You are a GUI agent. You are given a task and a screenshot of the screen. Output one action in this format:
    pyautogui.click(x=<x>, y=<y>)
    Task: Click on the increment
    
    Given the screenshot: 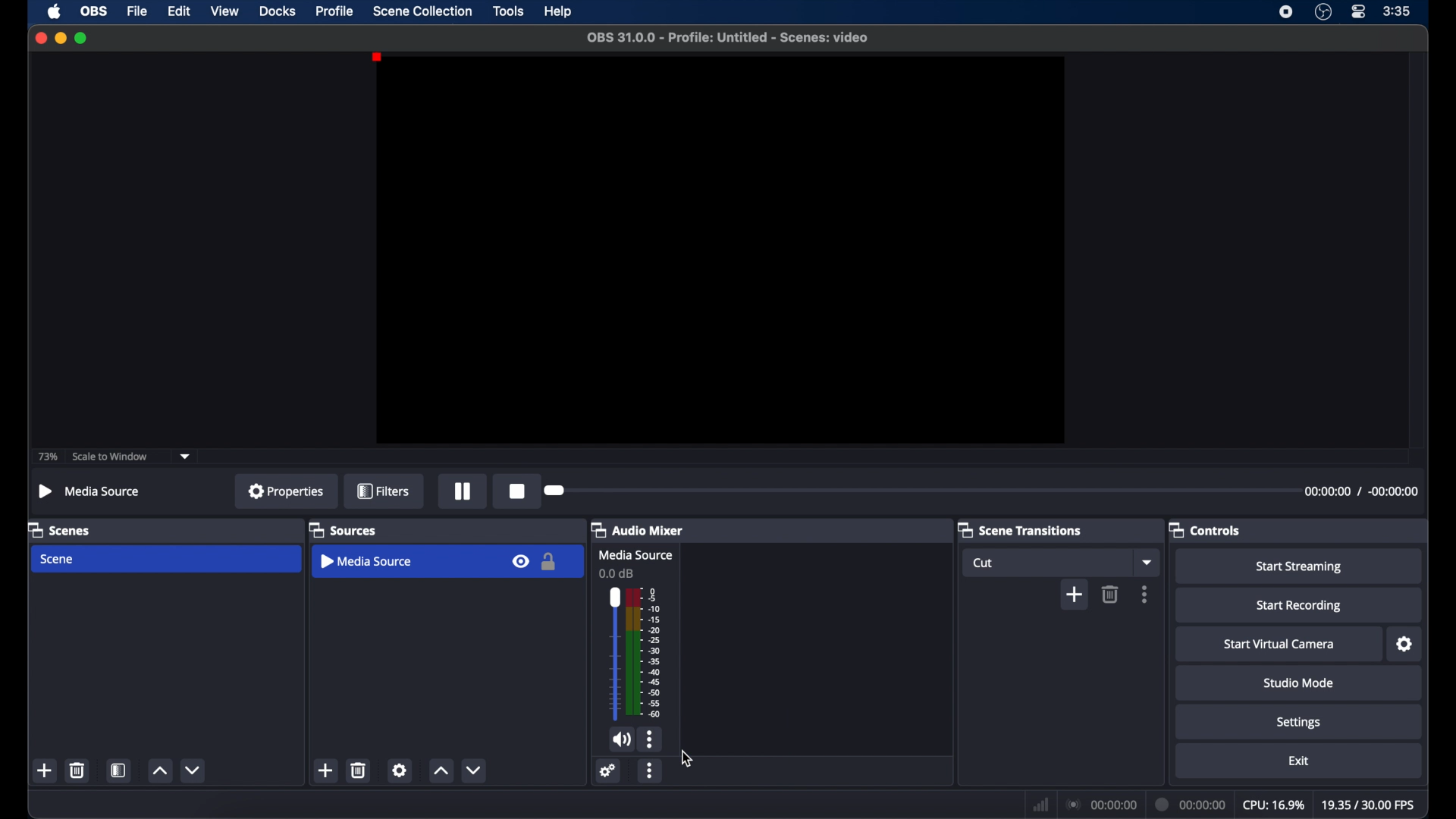 What is the action you would take?
    pyautogui.click(x=159, y=770)
    